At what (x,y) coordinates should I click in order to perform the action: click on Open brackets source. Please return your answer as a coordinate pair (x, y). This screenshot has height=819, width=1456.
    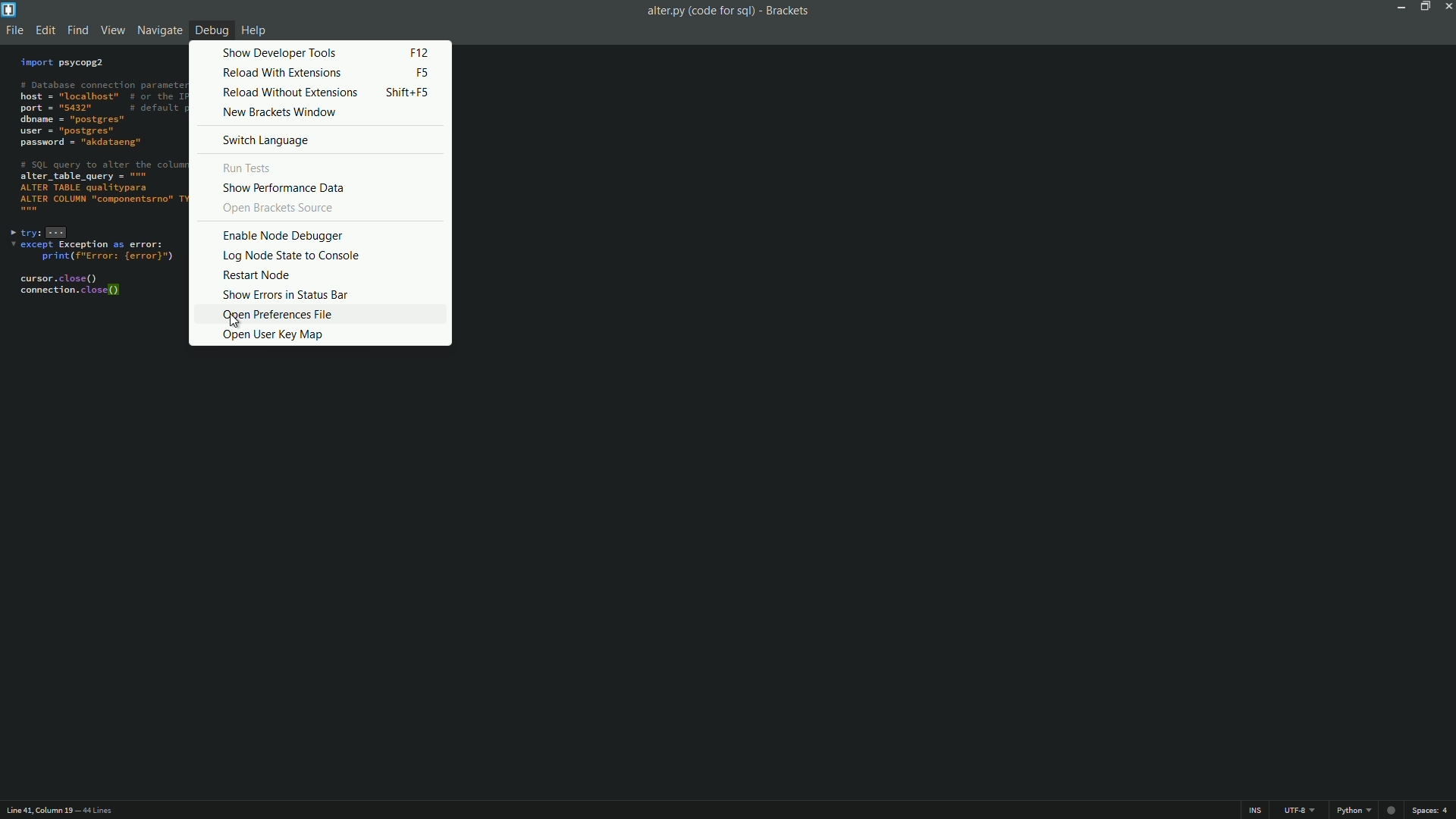
    Looking at the image, I should click on (318, 209).